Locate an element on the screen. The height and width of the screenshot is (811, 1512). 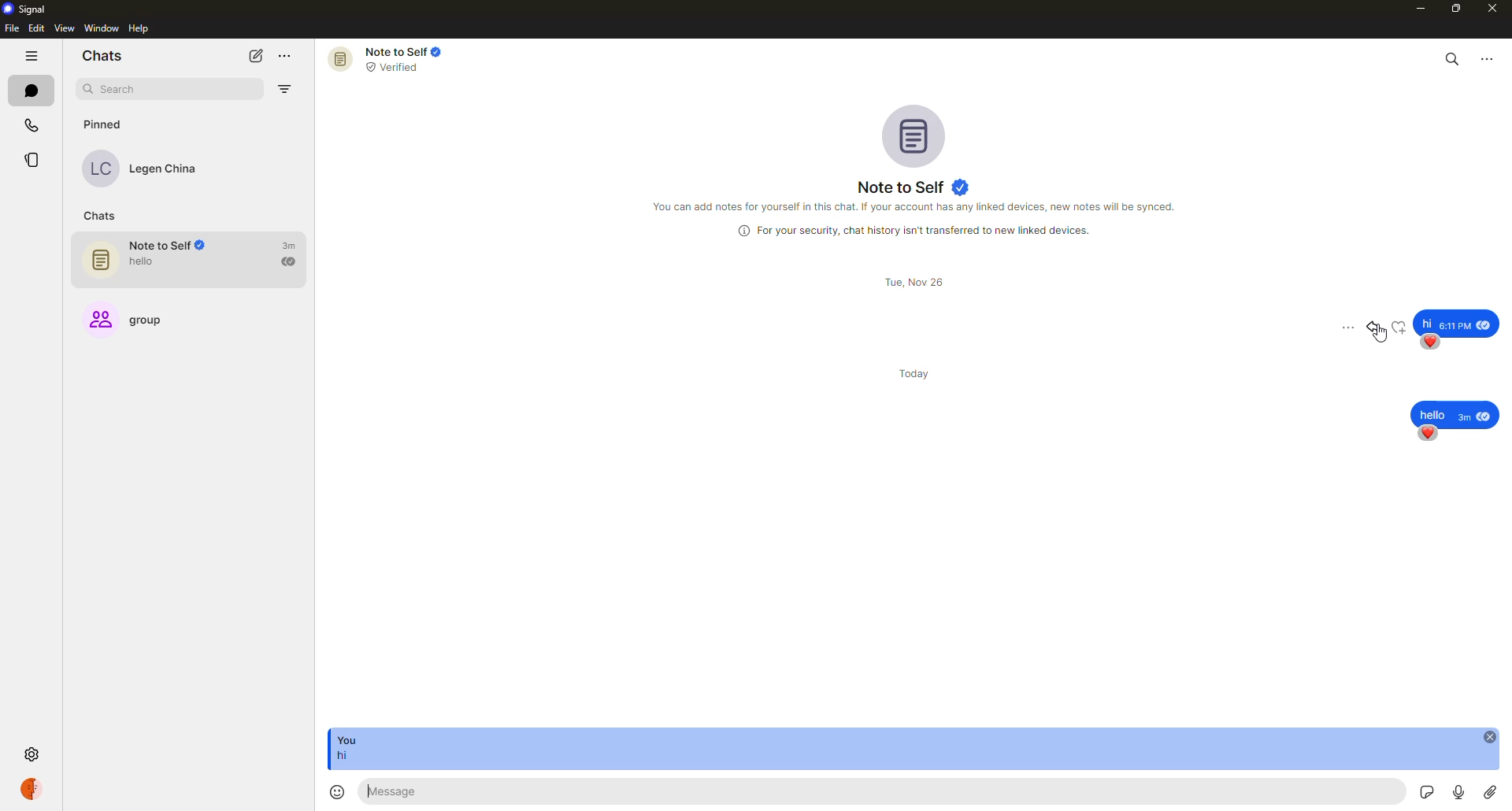
search is located at coordinates (1453, 57).